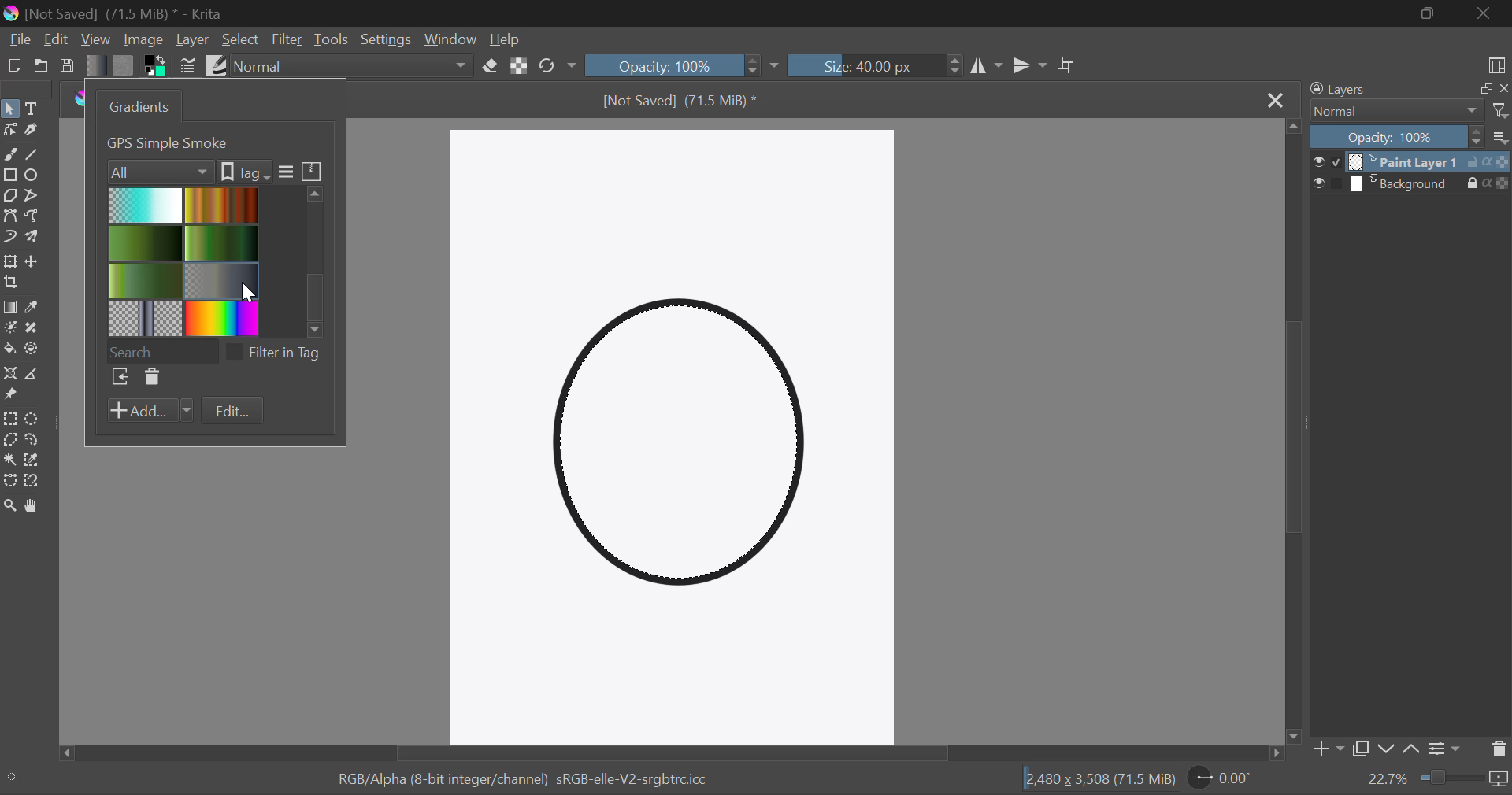  Describe the element at coordinates (1328, 750) in the screenshot. I see `Add Layer` at that location.